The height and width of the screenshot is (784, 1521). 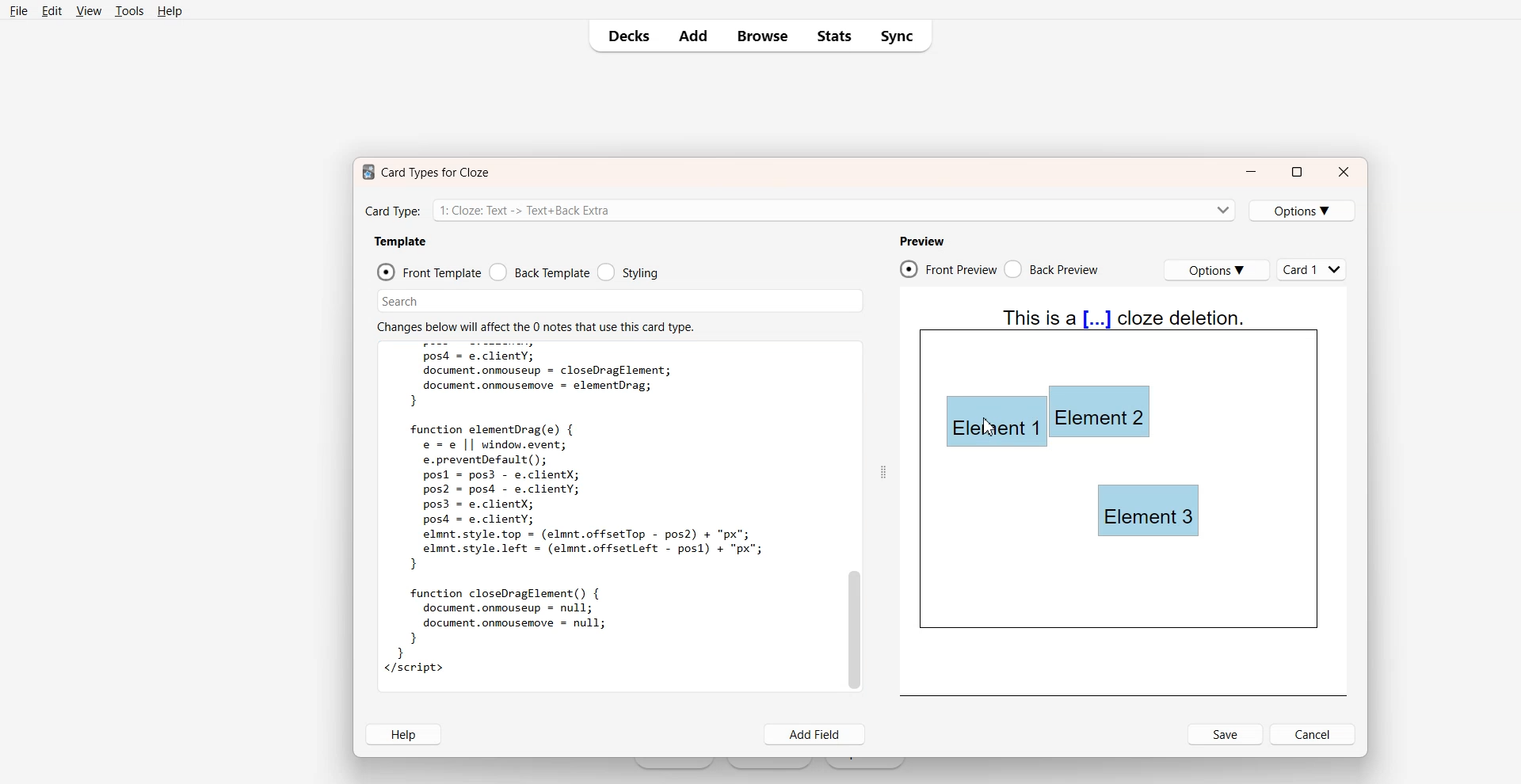 What do you see at coordinates (816, 735) in the screenshot?
I see `Add Field` at bounding box center [816, 735].